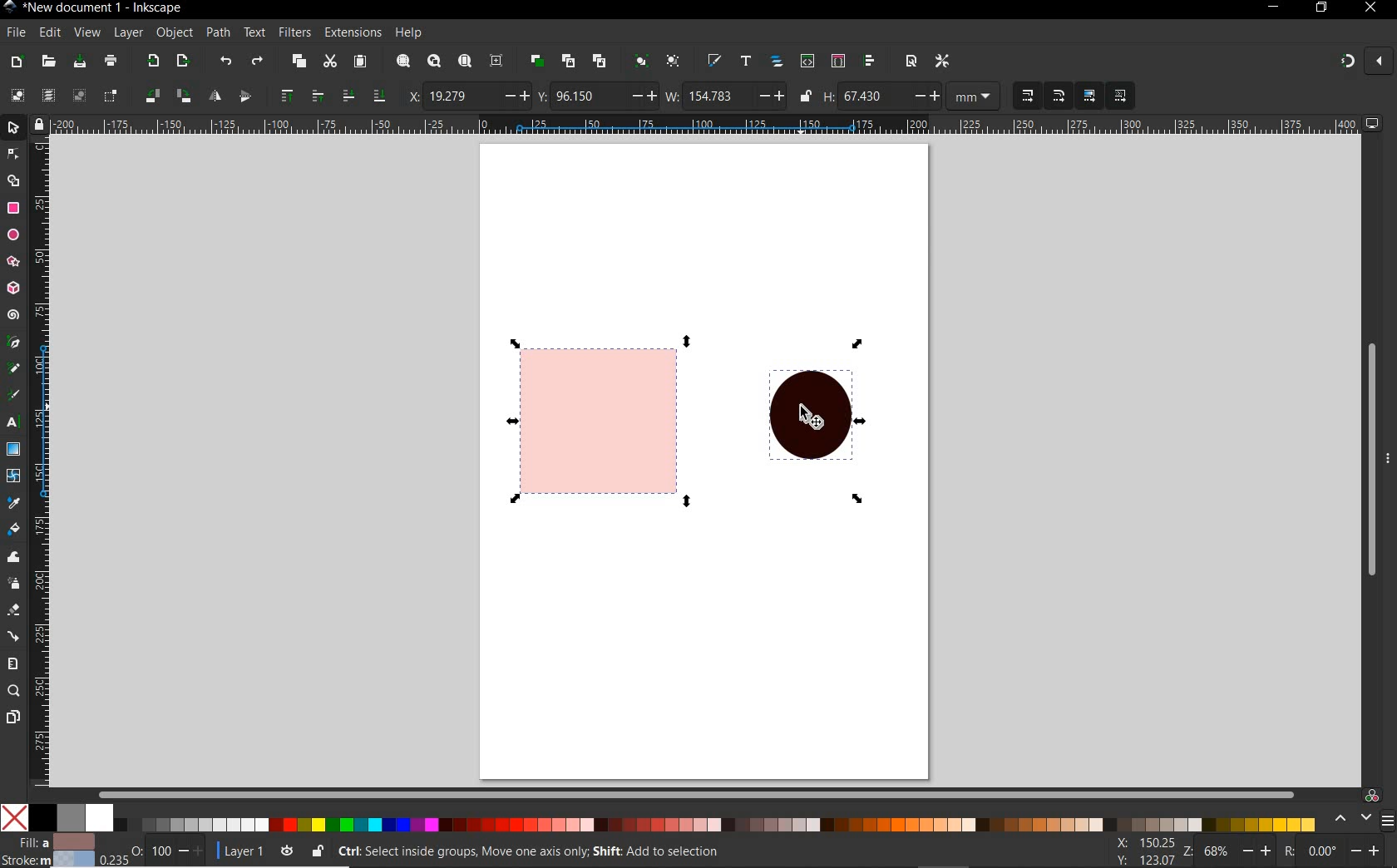 This screenshot has height=868, width=1397. What do you see at coordinates (108, 8) in the screenshot?
I see `file name` at bounding box center [108, 8].